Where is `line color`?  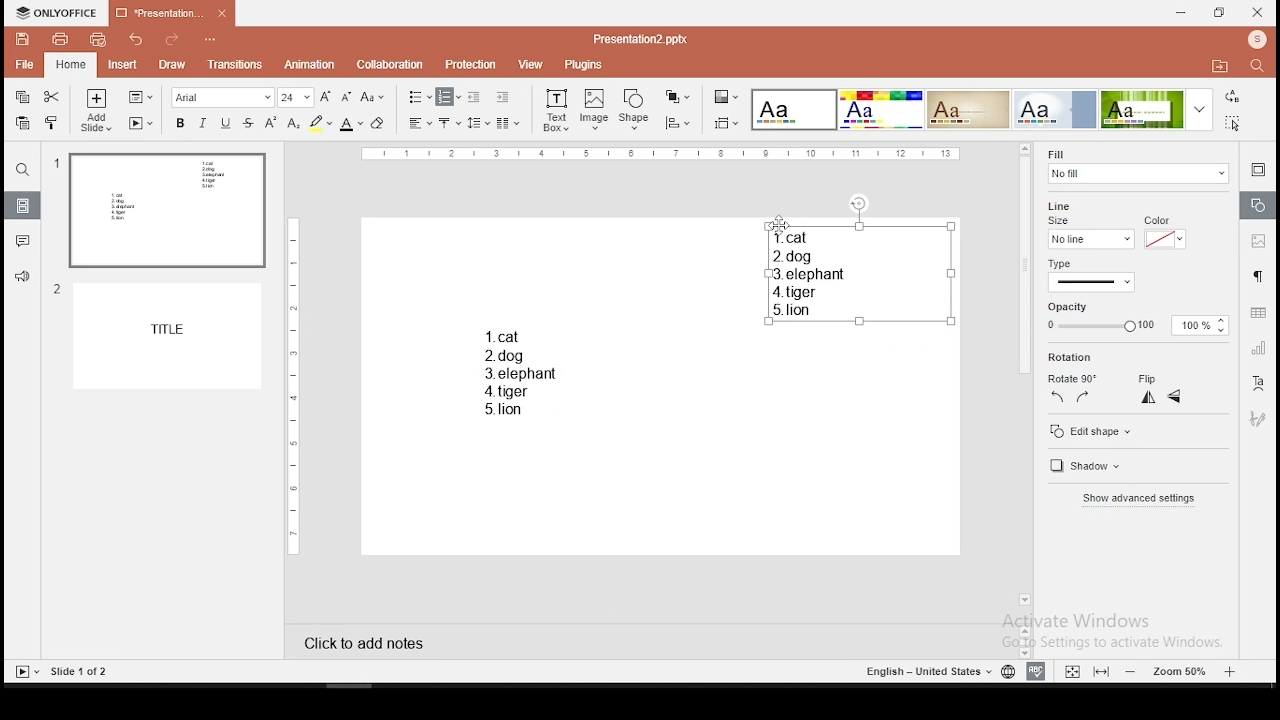
line color is located at coordinates (1164, 233).